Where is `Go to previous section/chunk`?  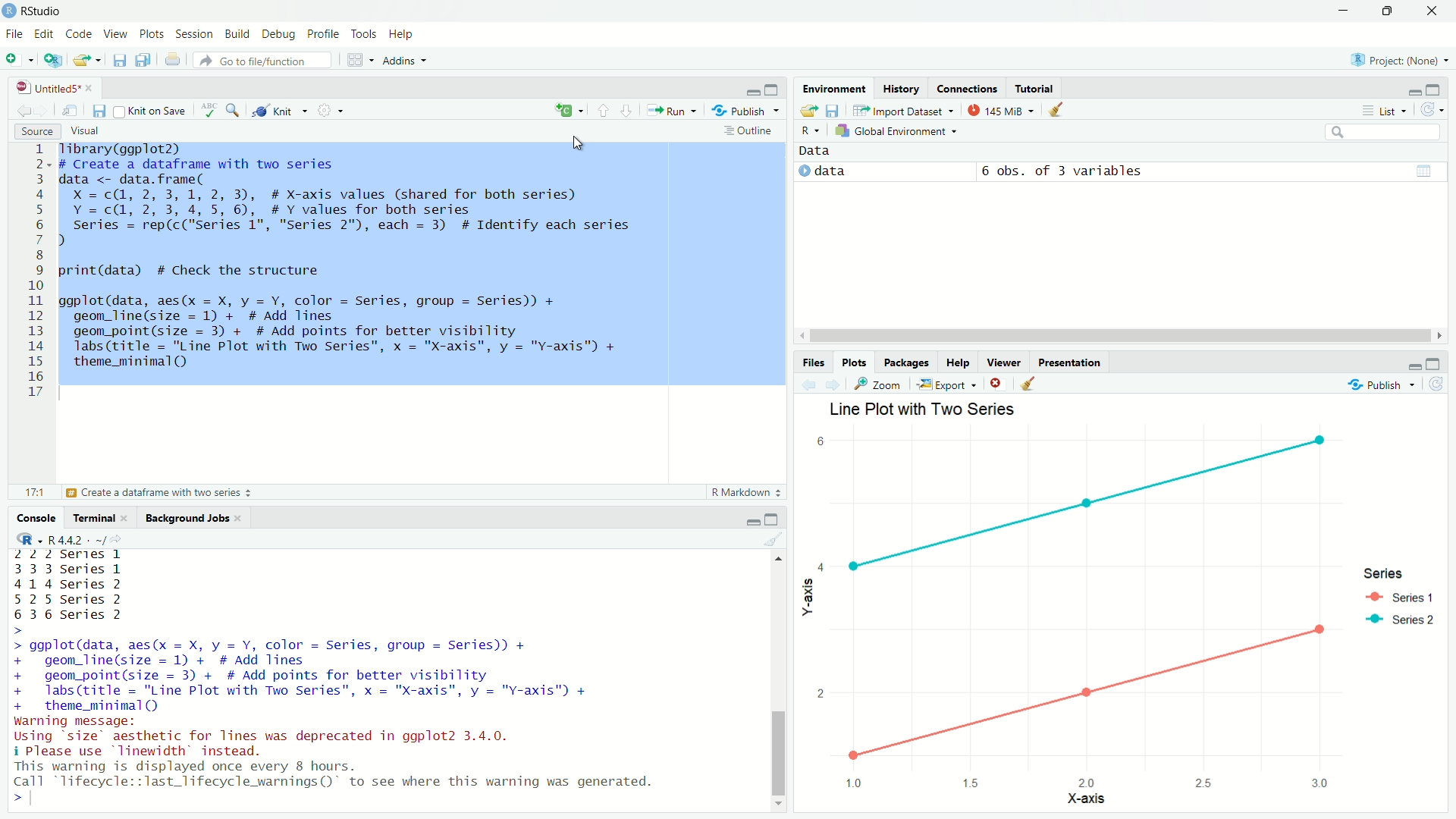 Go to previous section/chunk is located at coordinates (604, 111).